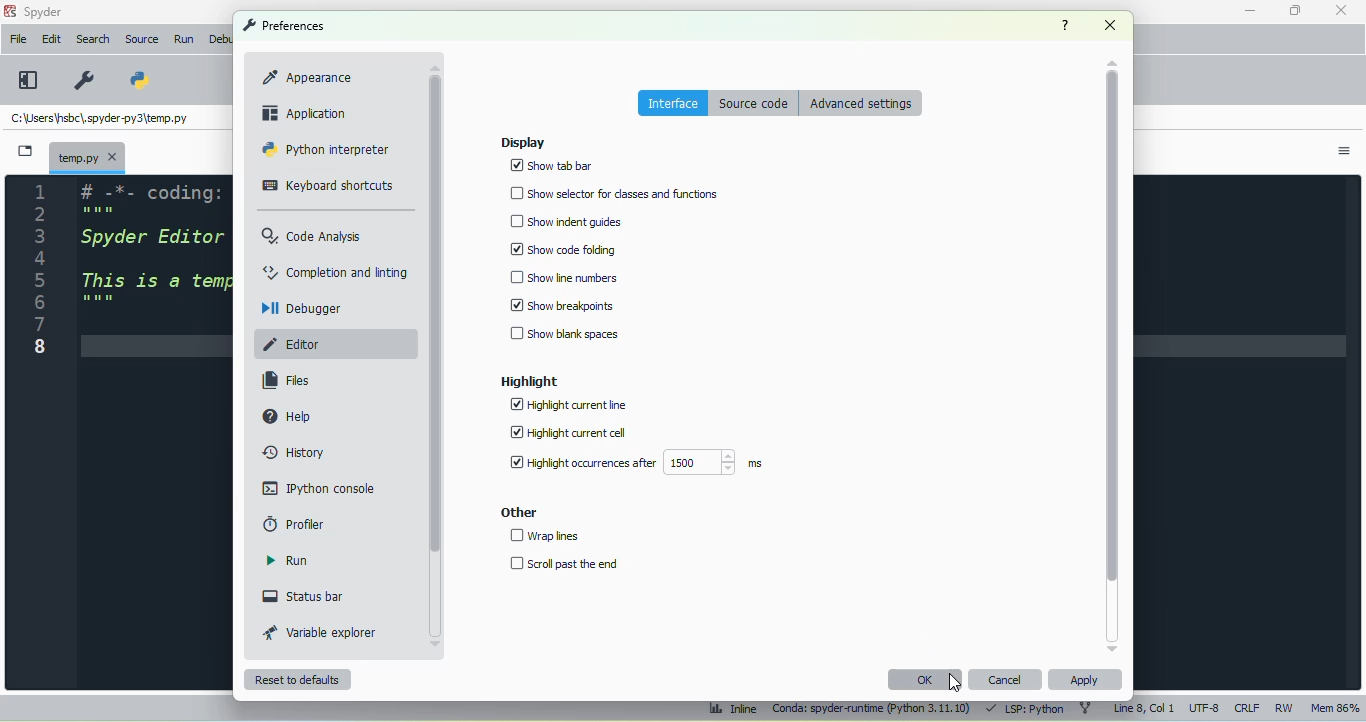  What do you see at coordinates (52, 39) in the screenshot?
I see `edit` at bounding box center [52, 39].